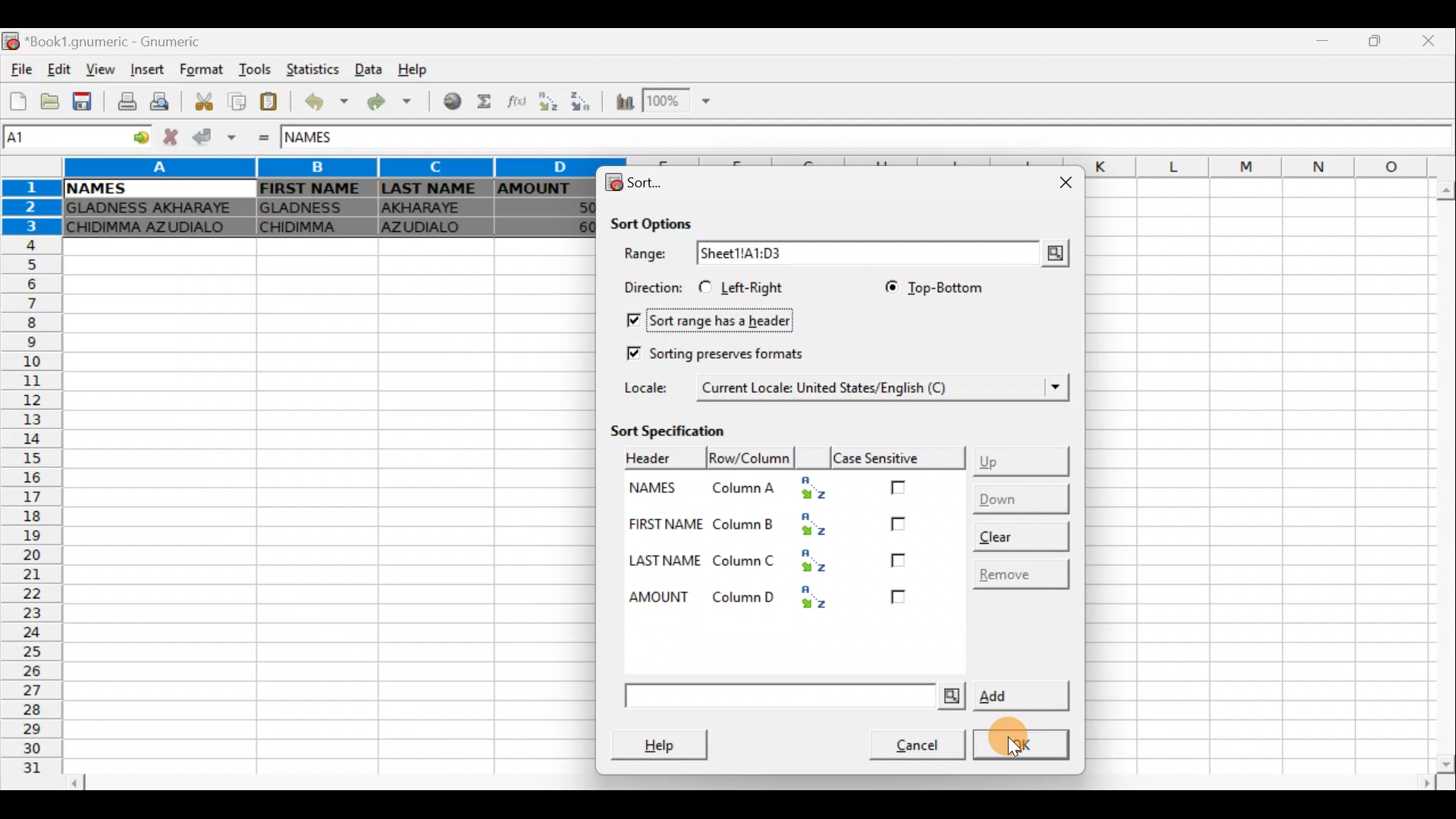  What do you see at coordinates (312, 188) in the screenshot?
I see `FIRST NAME` at bounding box center [312, 188].